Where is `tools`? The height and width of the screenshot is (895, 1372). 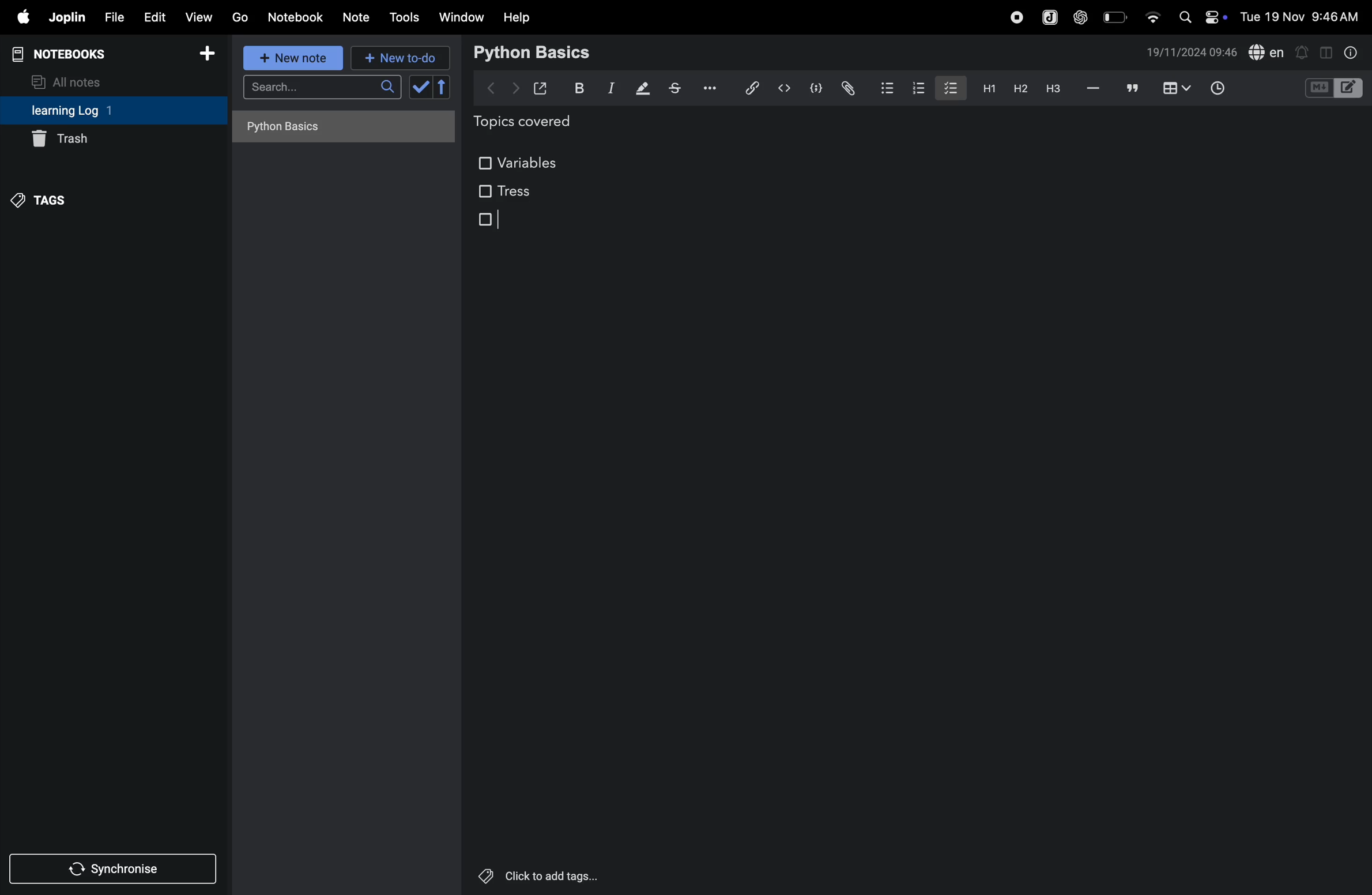
tools is located at coordinates (402, 17).